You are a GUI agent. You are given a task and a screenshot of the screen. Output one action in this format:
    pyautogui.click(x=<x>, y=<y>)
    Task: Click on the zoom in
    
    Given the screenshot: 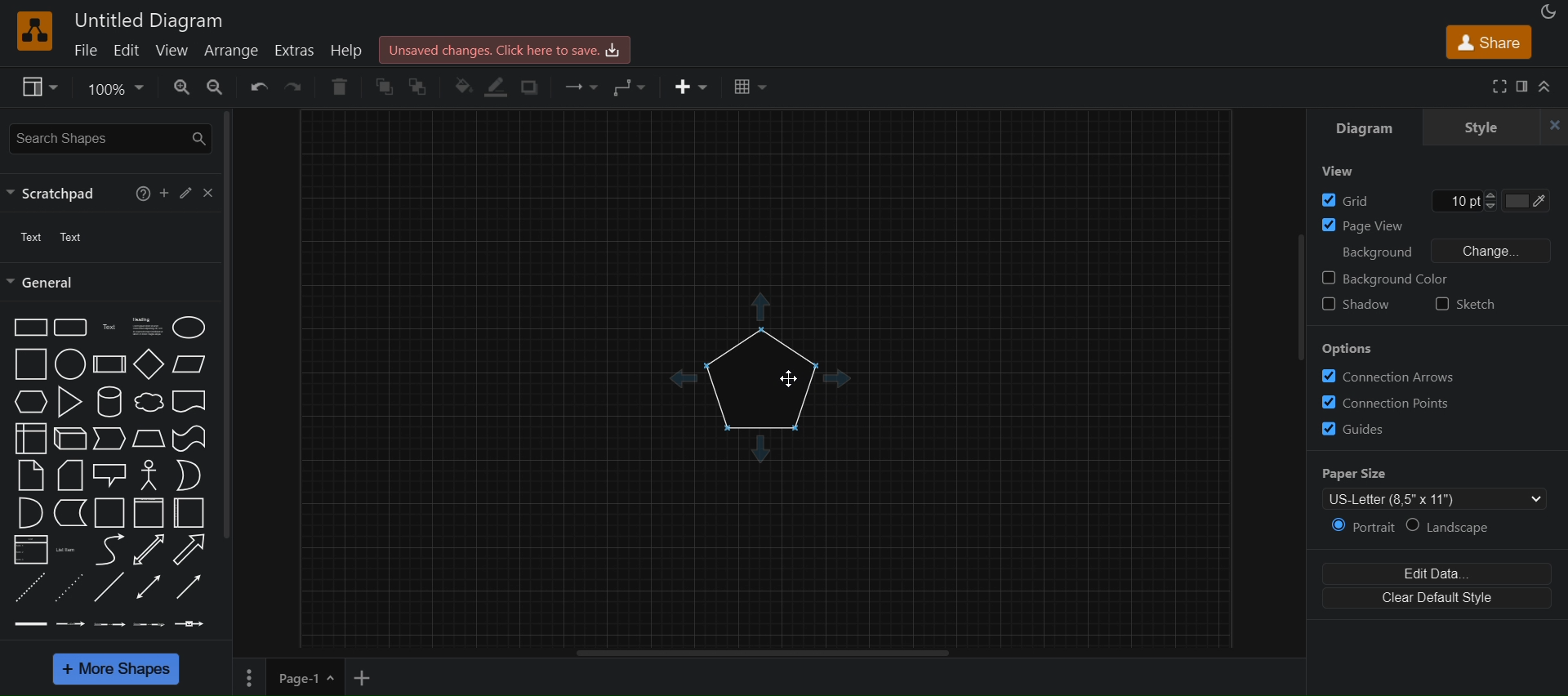 What is the action you would take?
    pyautogui.click(x=214, y=88)
    